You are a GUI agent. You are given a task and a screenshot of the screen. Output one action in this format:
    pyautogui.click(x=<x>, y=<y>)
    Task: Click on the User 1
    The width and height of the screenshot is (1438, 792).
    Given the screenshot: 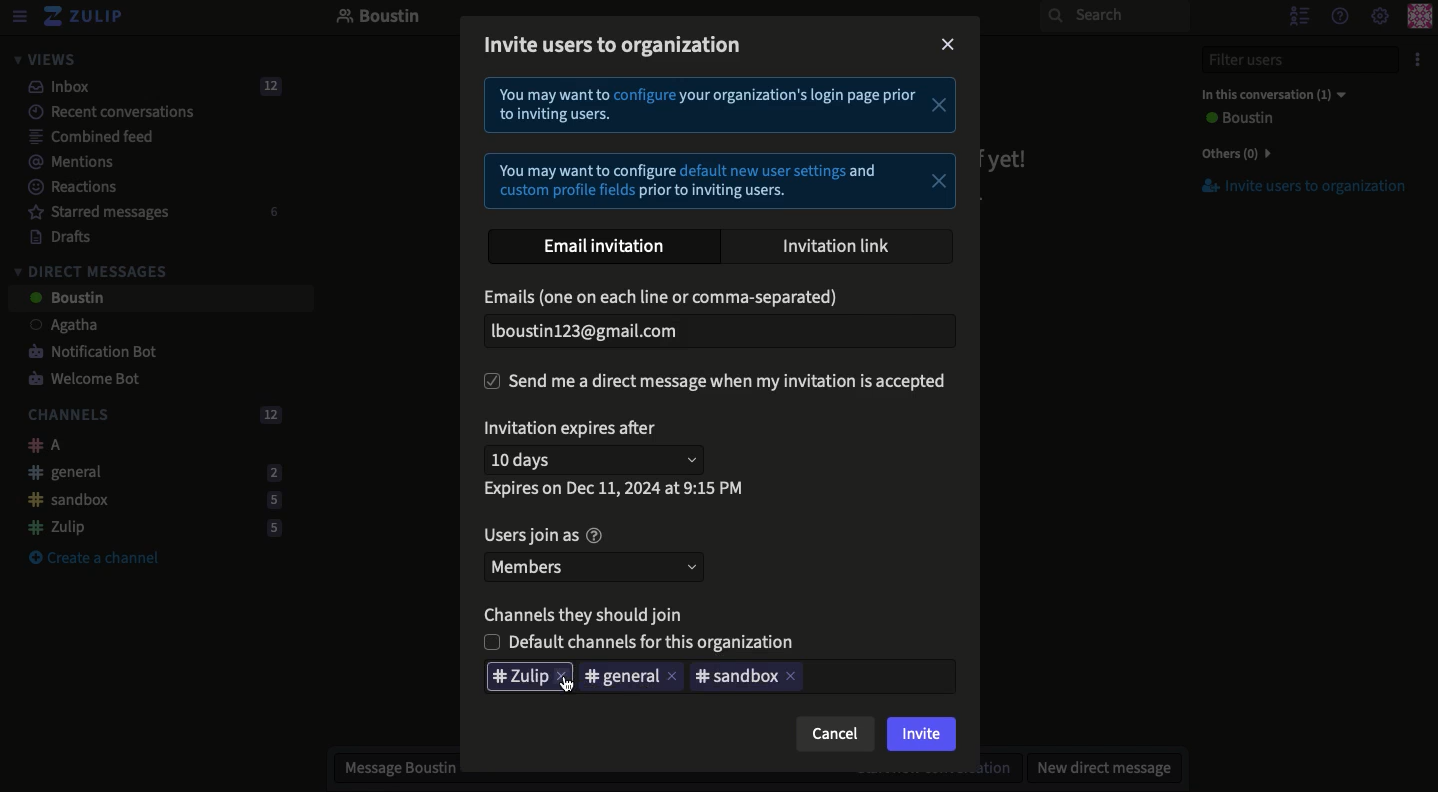 What is the action you would take?
    pyautogui.click(x=53, y=327)
    